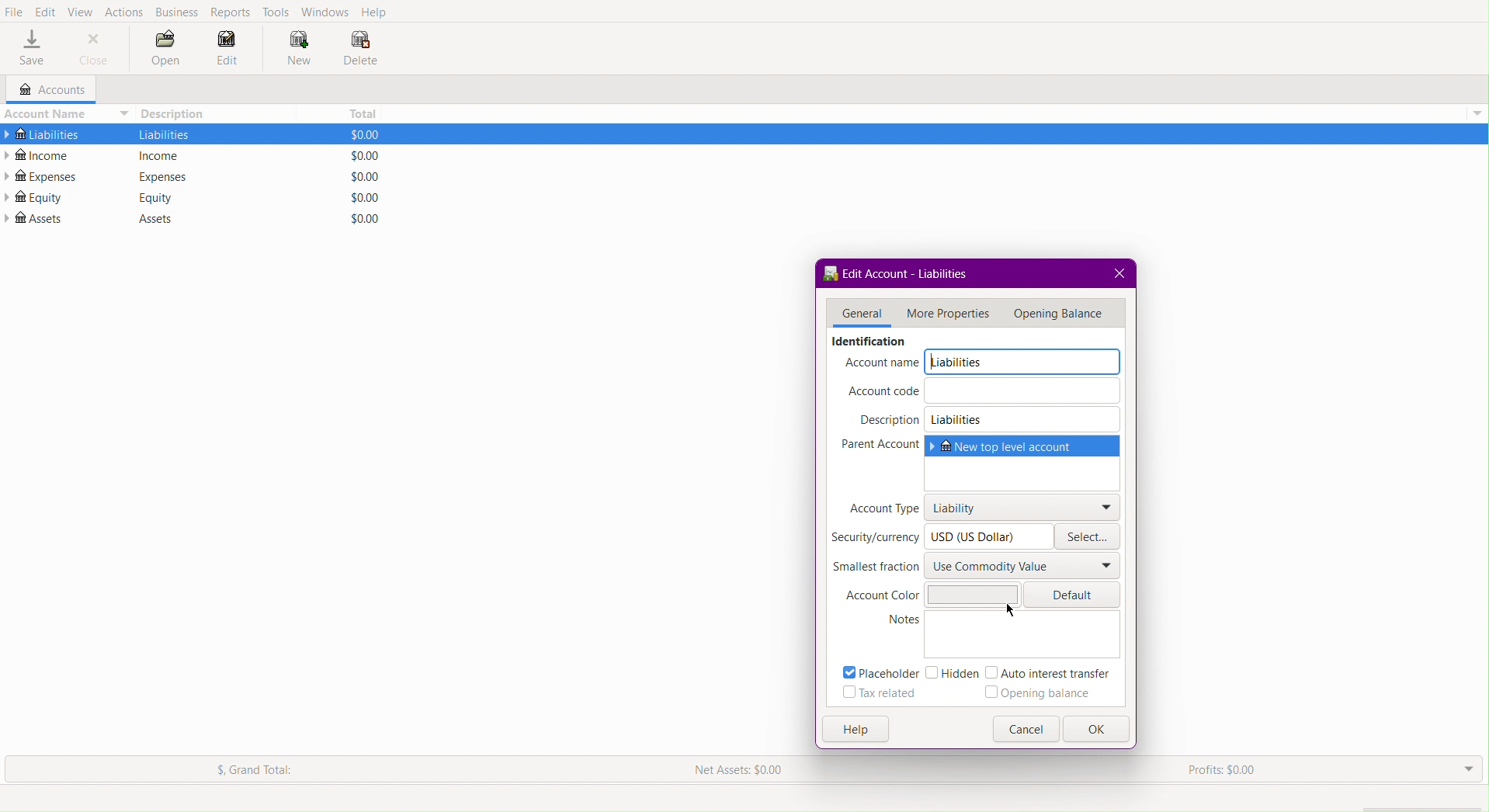 Image resolution: width=1489 pixels, height=812 pixels. What do you see at coordinates (875, 536) in the screenshot?
I see `Security/currency` at bounding box center [875, 536].